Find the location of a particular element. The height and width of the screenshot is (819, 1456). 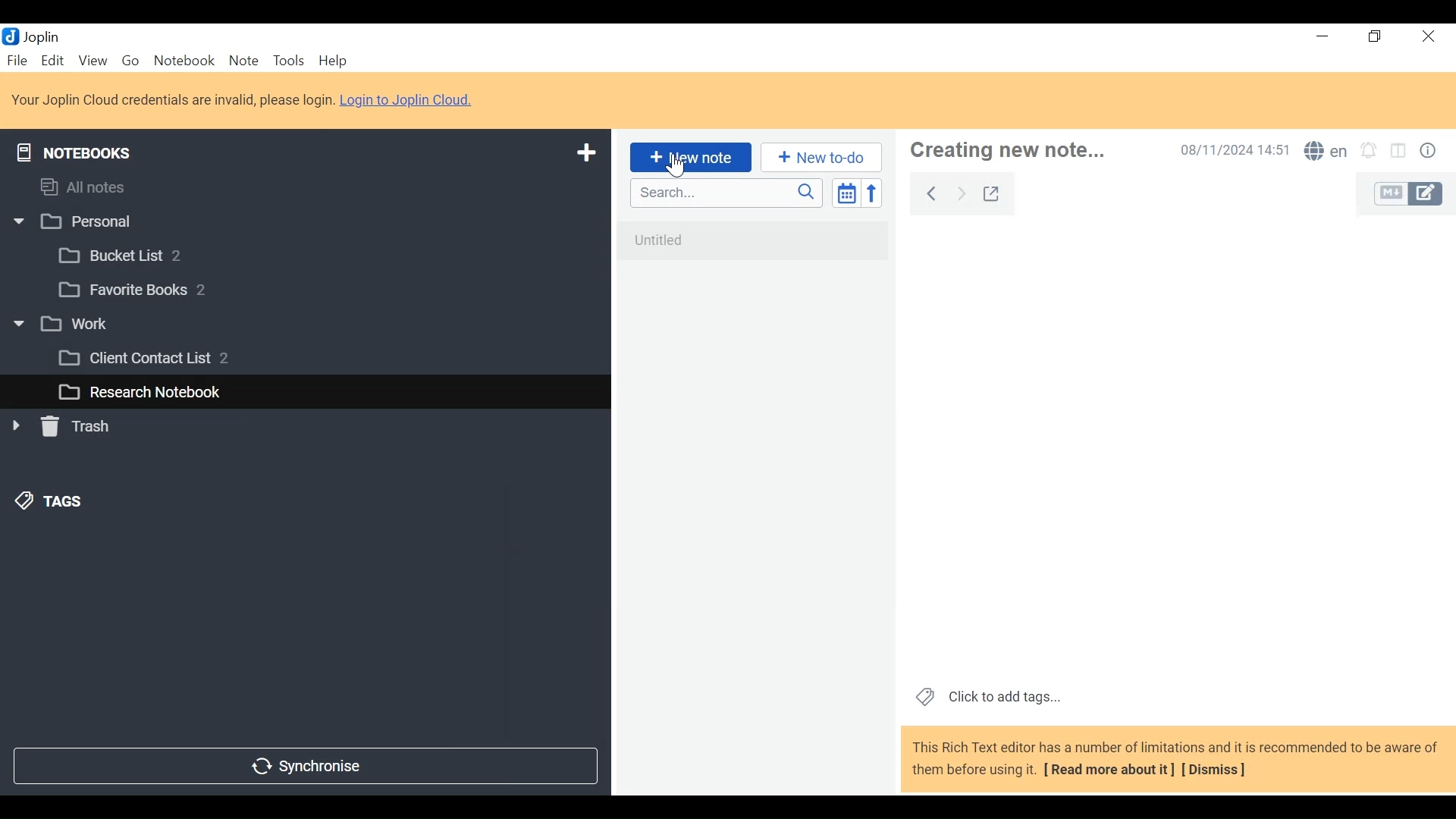

Cursor is located at coordinates (680, 167).